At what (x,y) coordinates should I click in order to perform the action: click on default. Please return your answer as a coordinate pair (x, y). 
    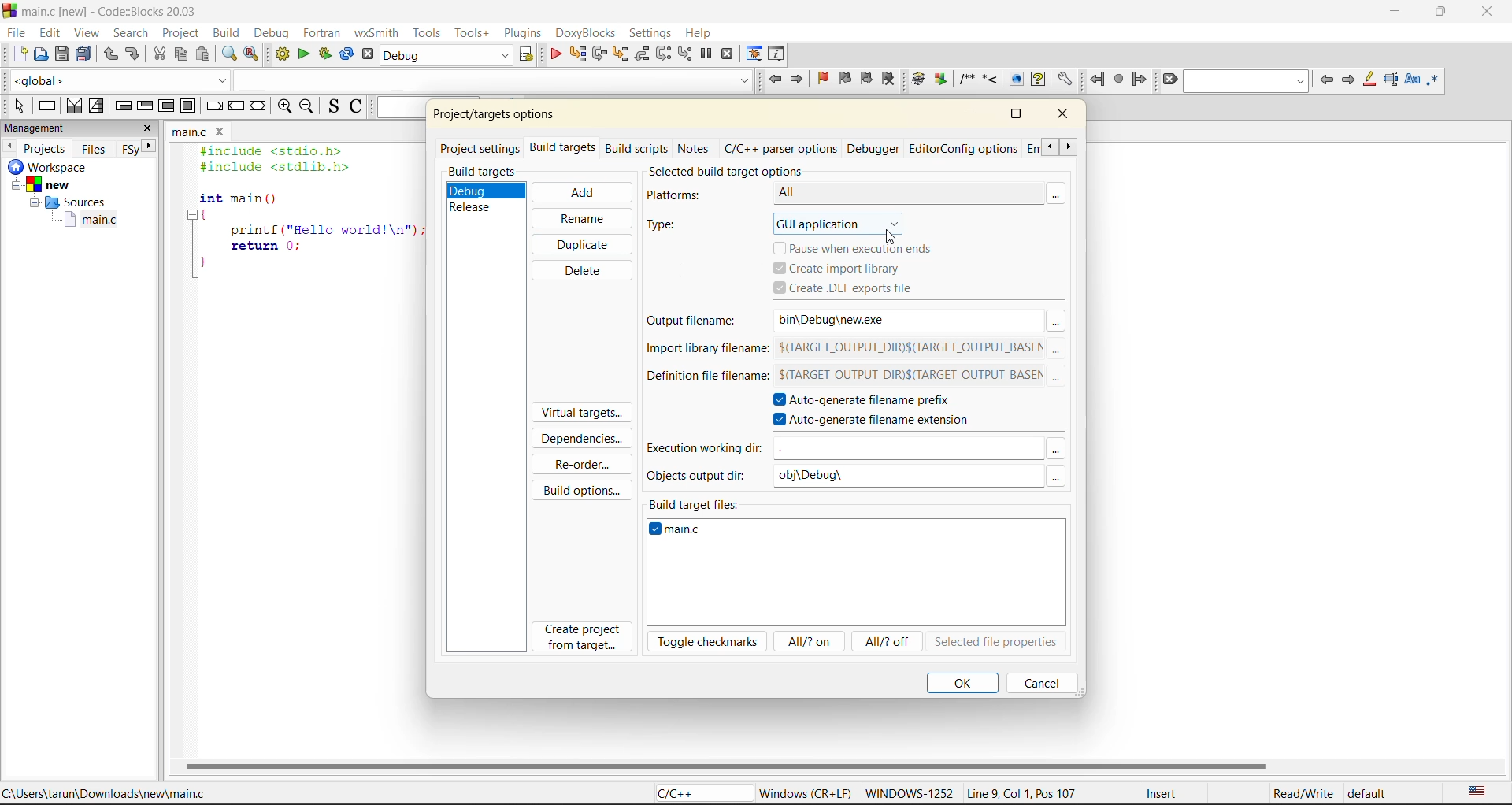
    Looking at the image, I should click on (1372, 796).